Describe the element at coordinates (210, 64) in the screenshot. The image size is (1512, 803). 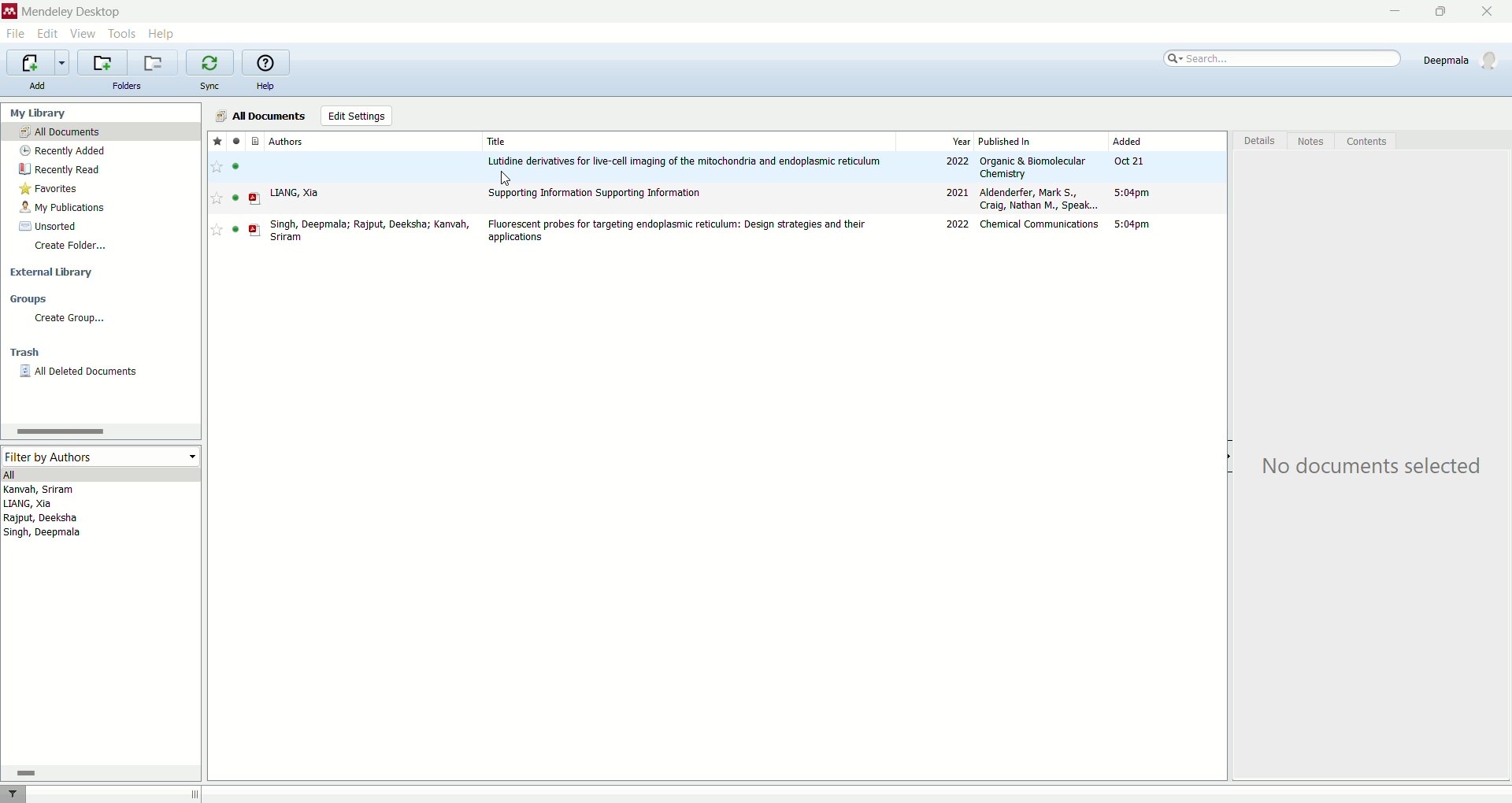
I see `synchronize library with mendeley web` at that location.